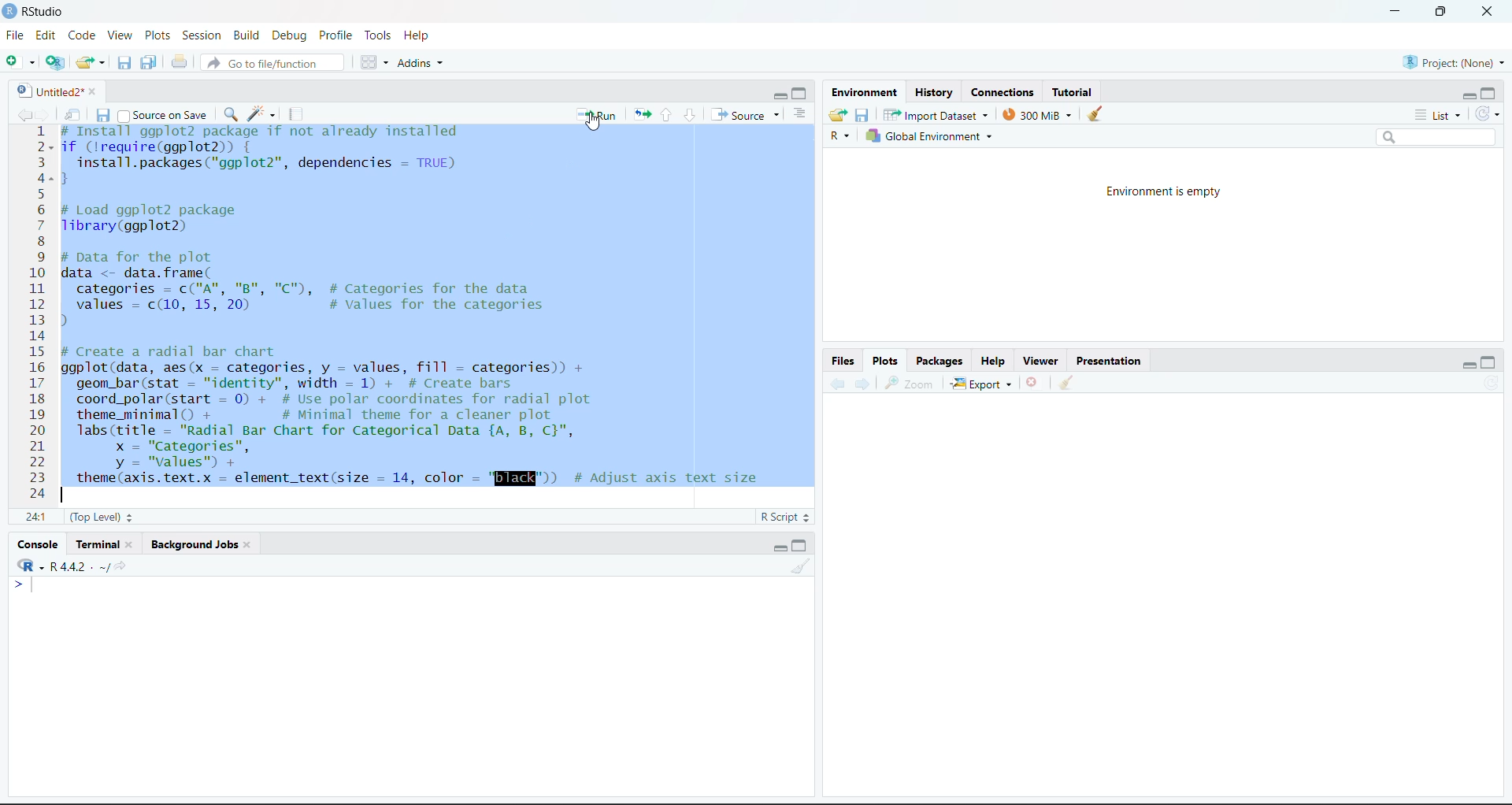 Image resolution: width=1512 pixels, height=805 pixels. What do you see at coordinates (434, 310) in the screenshot?
I see `install ggp to 2 package if not already installed if (lrequire(ggplot2)) {install.packages("ggplot2", dependencies = TRUE)}# Load ggplot2 packageTibrary(ggplot2)# Data for the plot Idata <- data.frame(categories = c("A", "B", "C"), # Categories for the datavalues = c(10, 15, 20) # values for the categories)# Create a radial bar chartggplot(data, aes(x = categories, y = values, fill = categories)) +geom_bar(stat = "identity", width = 1) + # Create barscoord_polar(start = 0) + # Use polar coordinates for radial plottheme_minimal() + # Minimal theme for a cleaner plotlabs(title = "Radial Bar Chart for Categorical Data {A, B, C}",x = "Categories",y = "values" +~ theme(axis.text.x = element_text(size = 14, color = 'BIENER)) 4 Adjust axis text size` at bounding box center [434, 310].